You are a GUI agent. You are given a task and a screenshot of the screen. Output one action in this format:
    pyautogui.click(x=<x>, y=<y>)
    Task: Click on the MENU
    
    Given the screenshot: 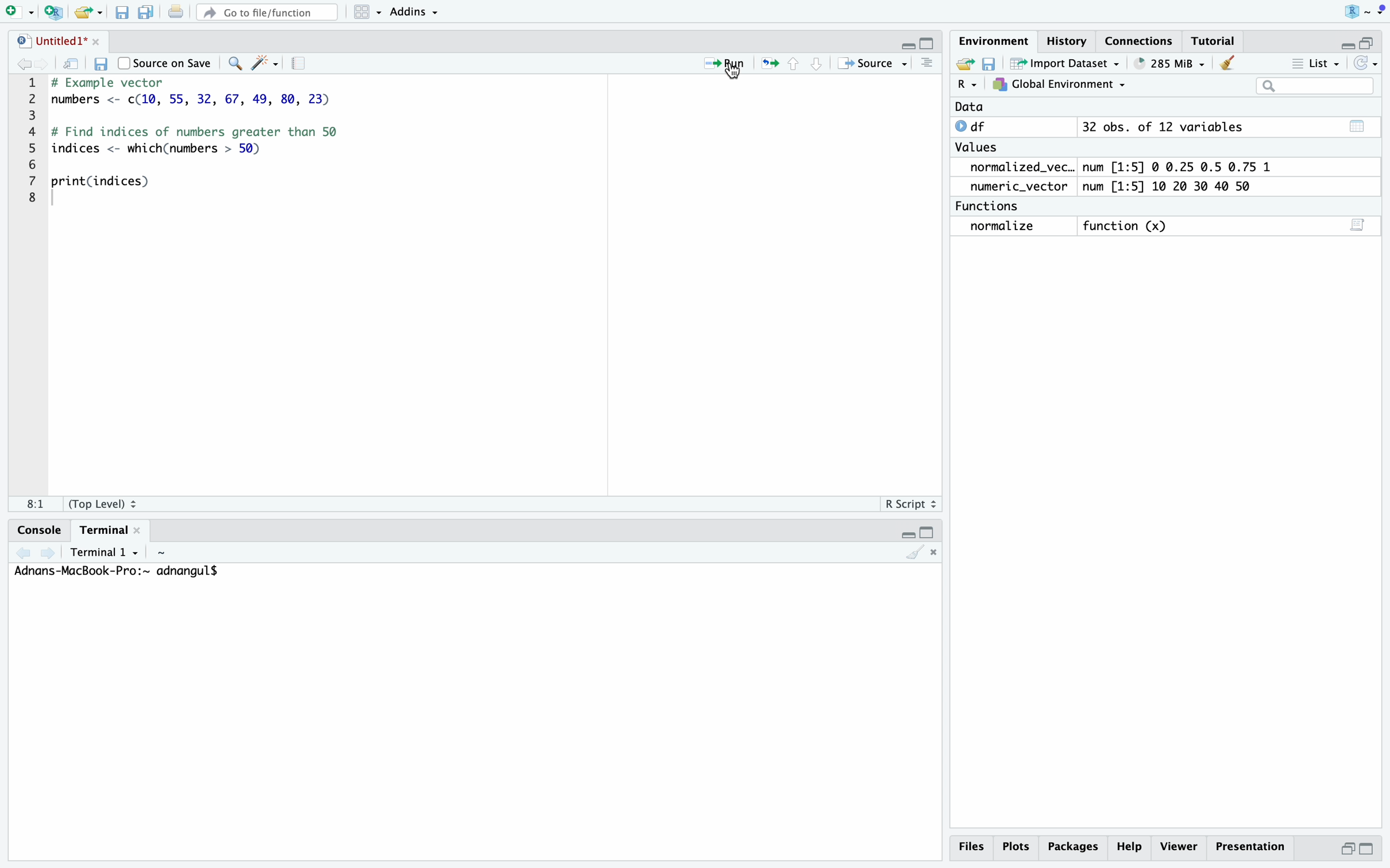 What is the action you would take?
    pyautogui.click(x=926, y=69)
    